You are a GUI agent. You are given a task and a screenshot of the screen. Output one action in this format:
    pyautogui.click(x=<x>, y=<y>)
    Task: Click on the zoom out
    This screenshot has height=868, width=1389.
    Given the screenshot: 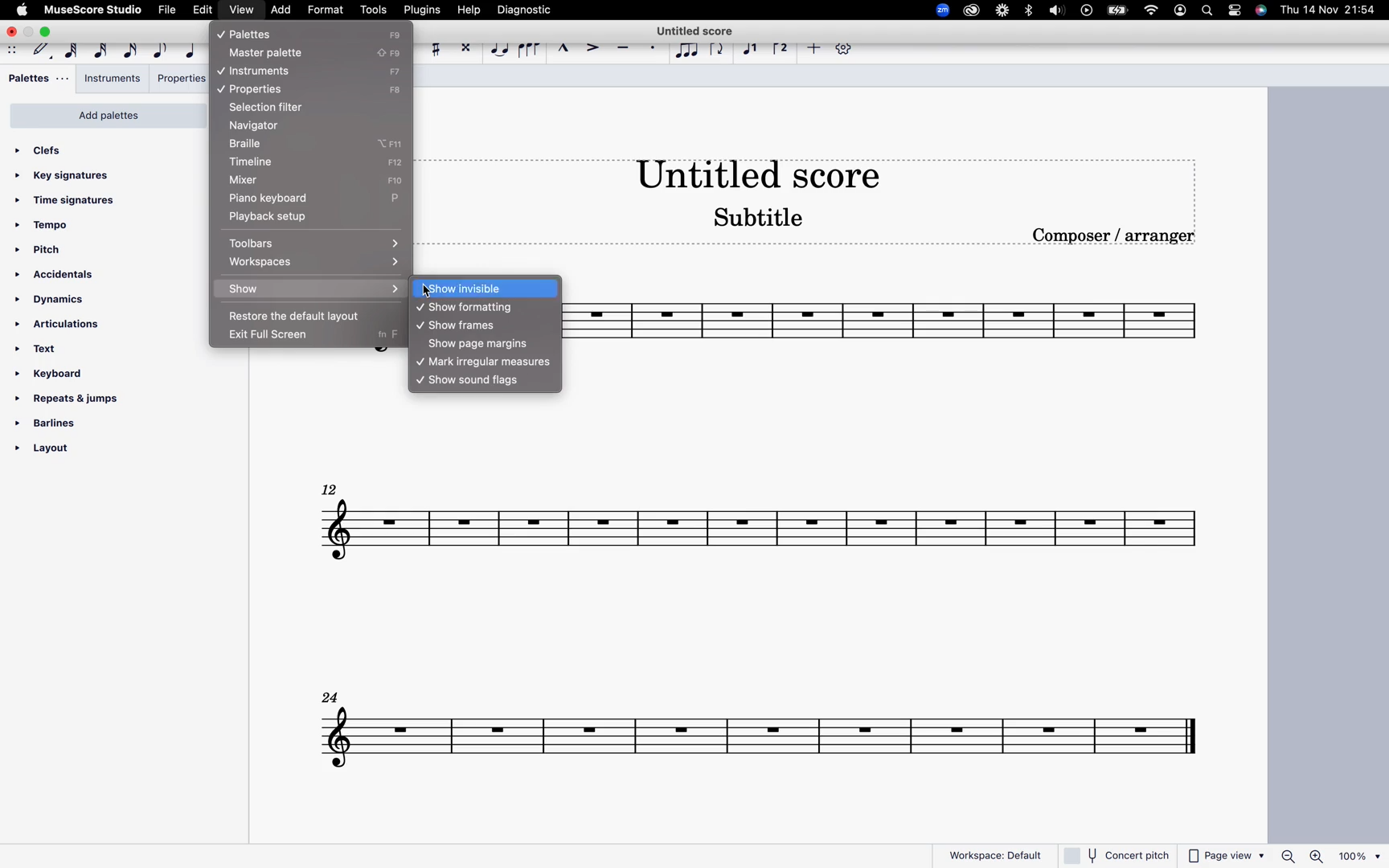 What is the action you would take?
    pyautogui.click(x=1284, y=853)
    